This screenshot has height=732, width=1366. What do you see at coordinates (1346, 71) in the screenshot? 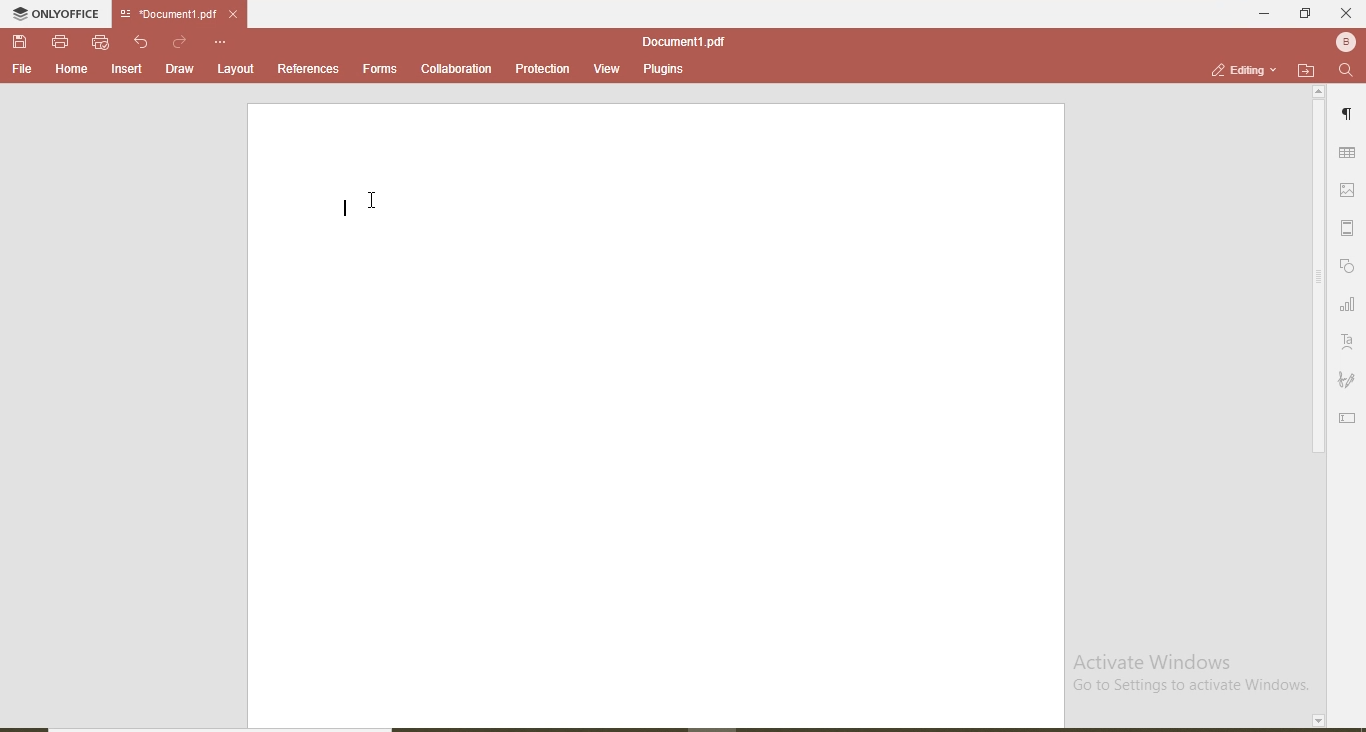
I see `find` at bounding box center [1346, 71].